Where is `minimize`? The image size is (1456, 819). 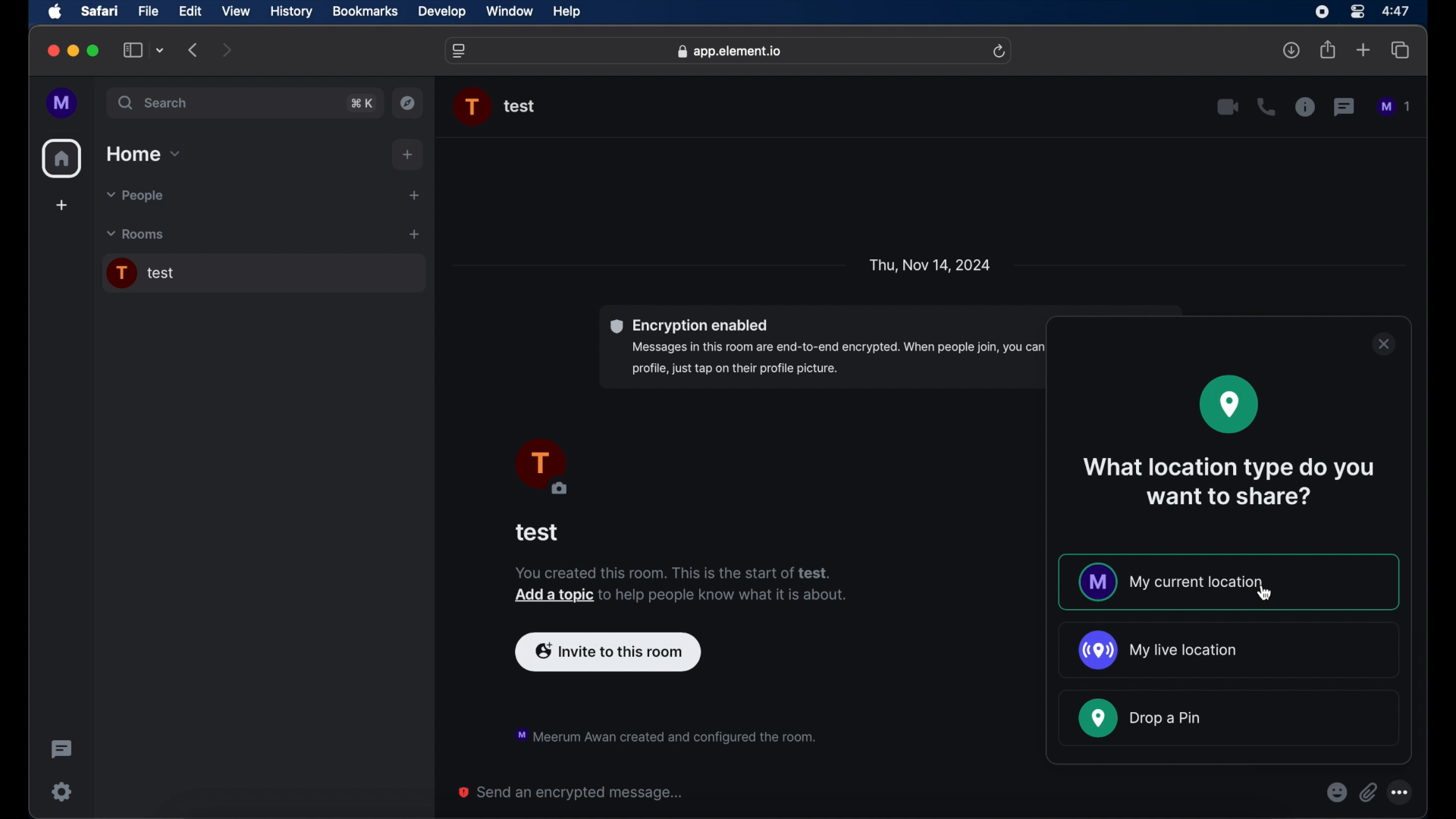 minimize is located at coordinates (73, 51).